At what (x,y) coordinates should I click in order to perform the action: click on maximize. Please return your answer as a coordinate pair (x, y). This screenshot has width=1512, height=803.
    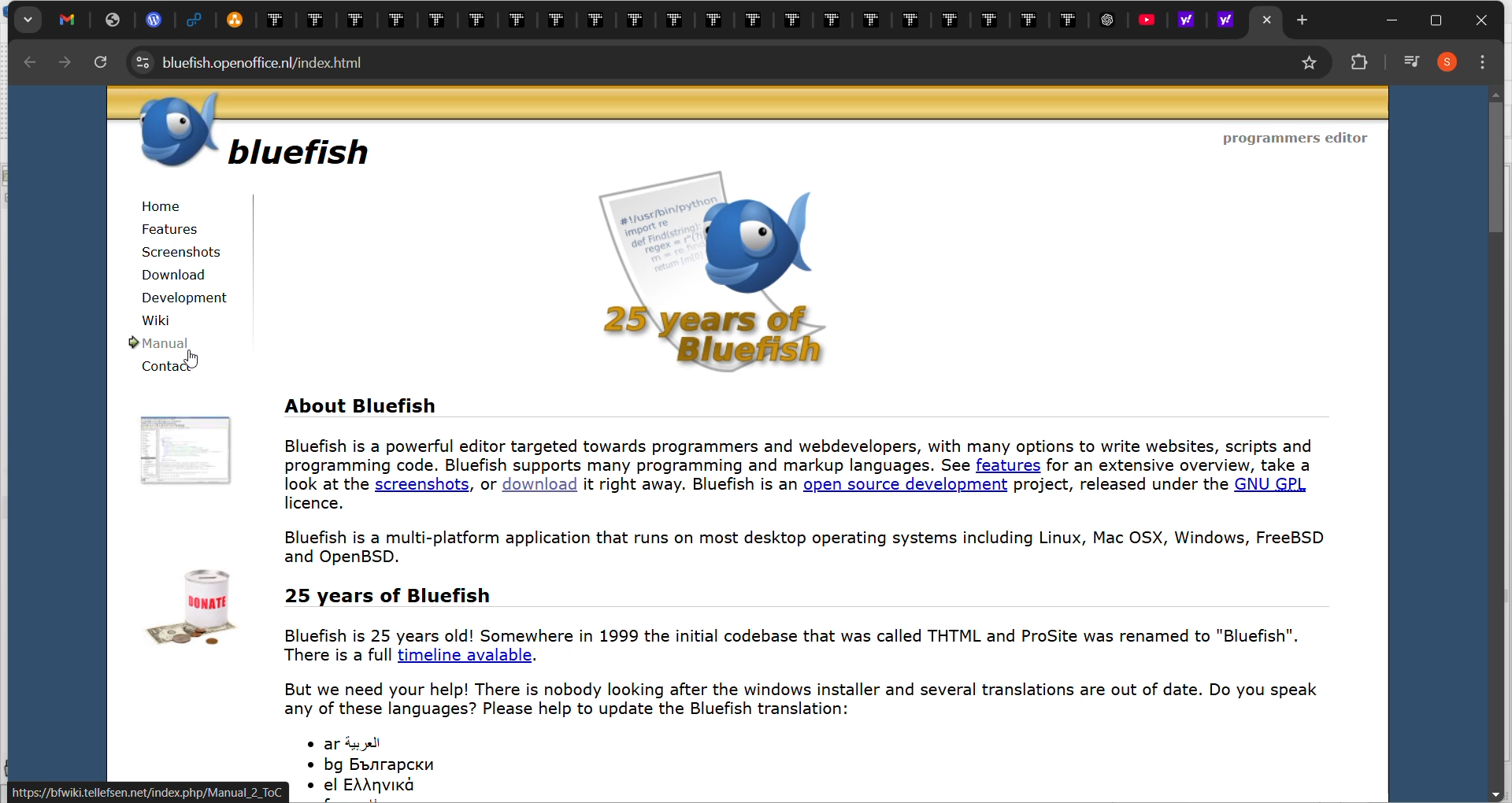
    Looking at the image, I should click on (1435, 24).